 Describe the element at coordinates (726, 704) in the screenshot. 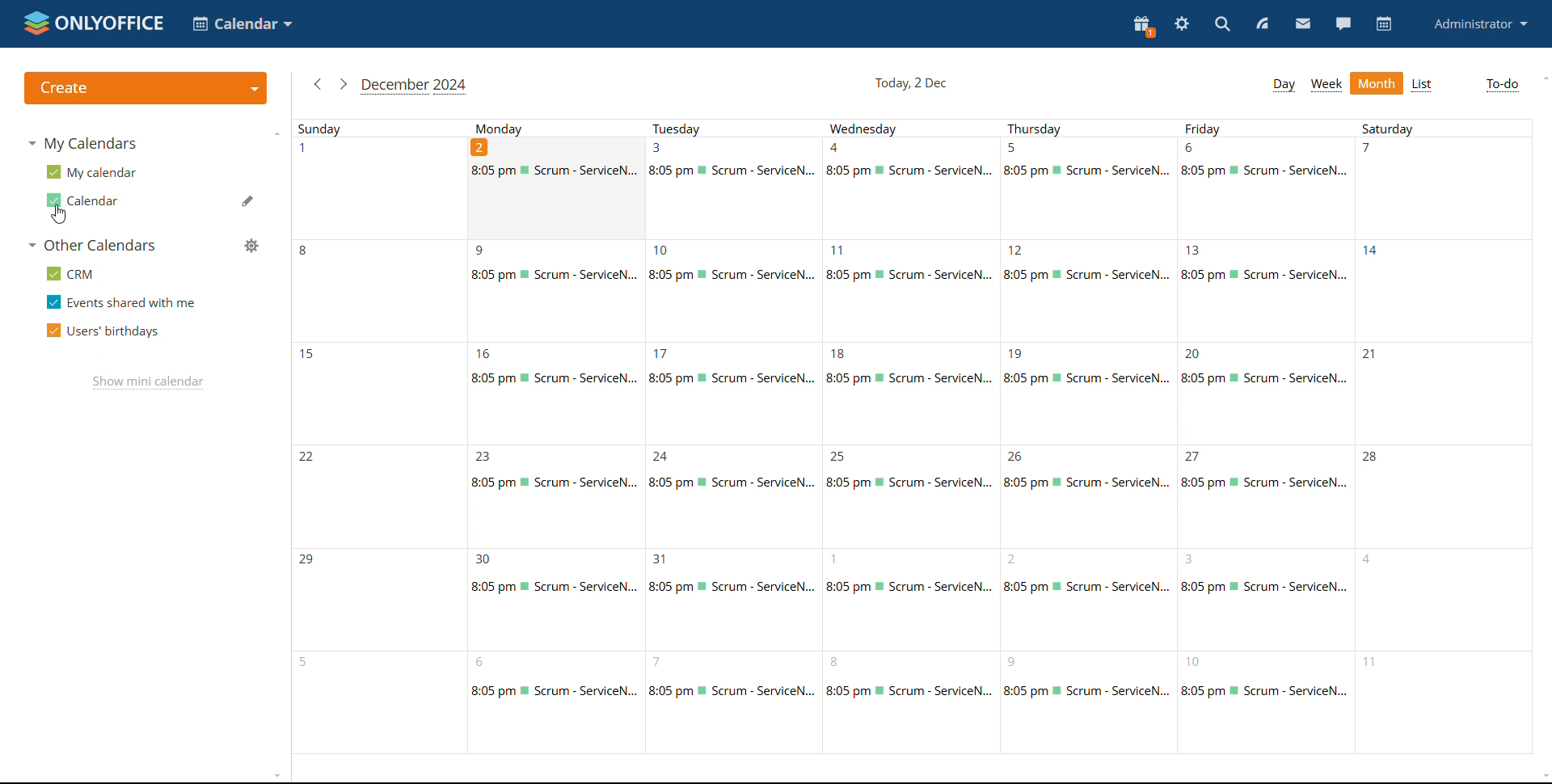

I see `7` at that location.